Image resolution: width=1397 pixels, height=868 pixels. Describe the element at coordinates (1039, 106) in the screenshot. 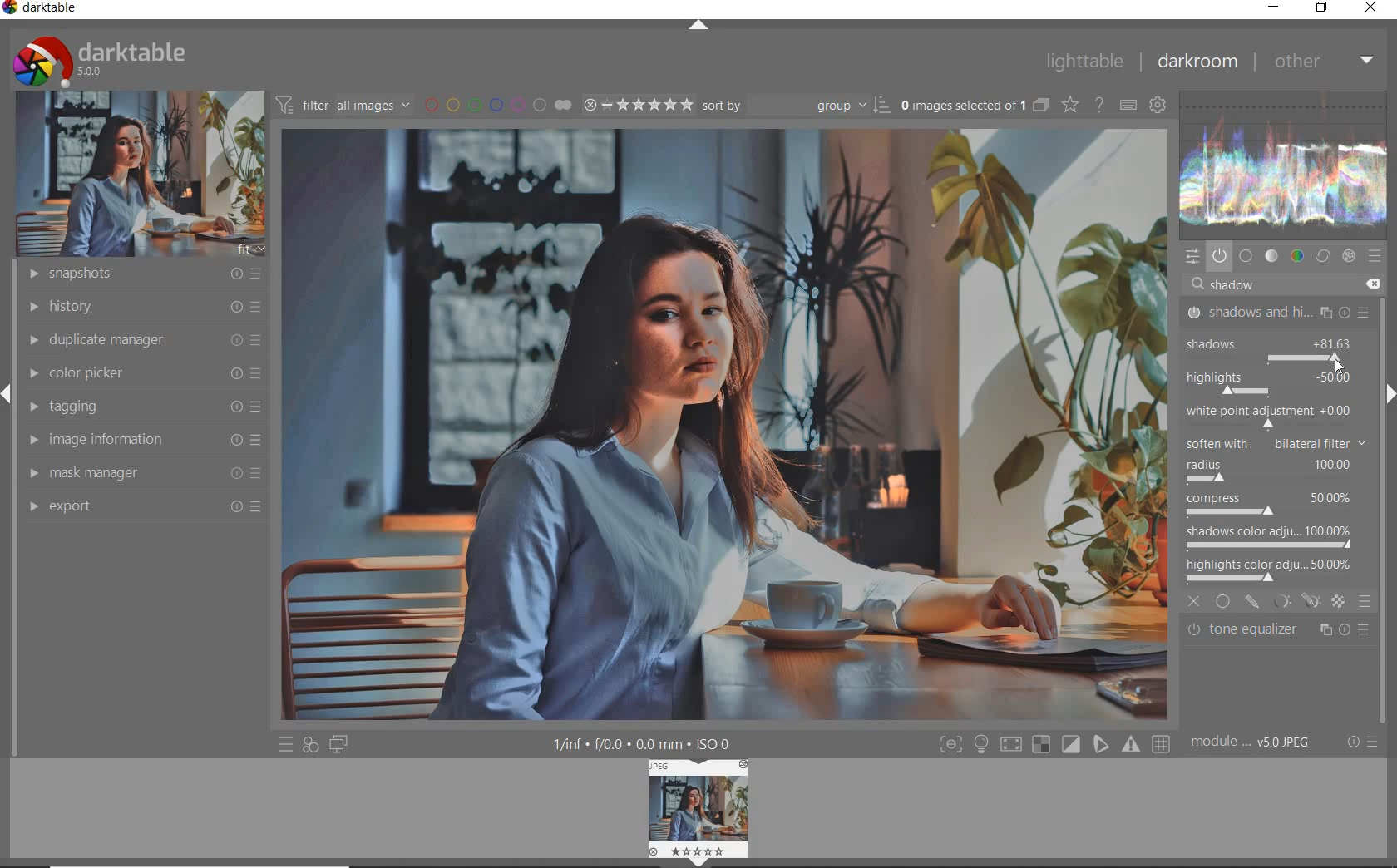

I see `collapse grouped images` at that location.